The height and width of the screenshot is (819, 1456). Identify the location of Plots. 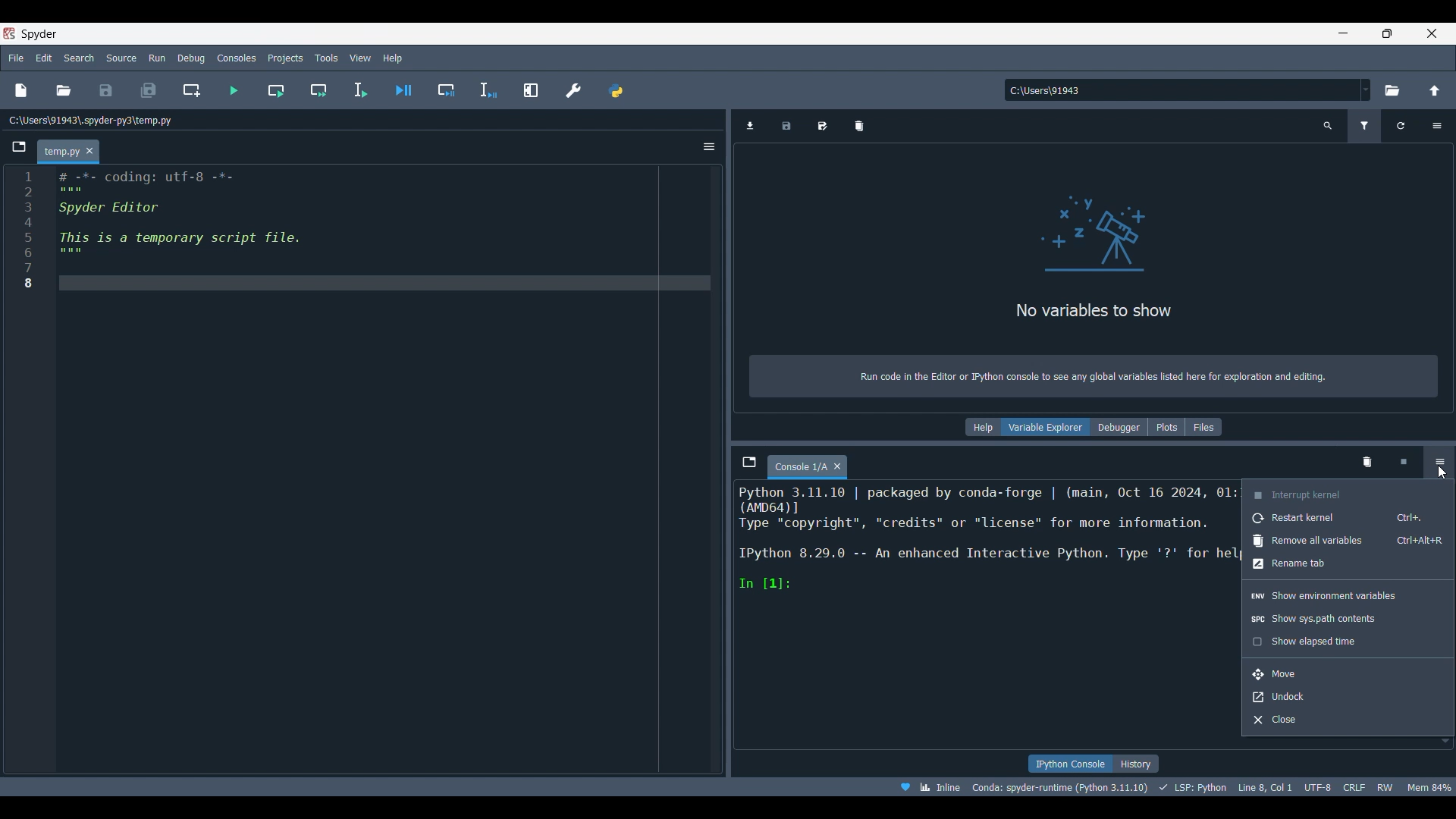
(1166, 427).